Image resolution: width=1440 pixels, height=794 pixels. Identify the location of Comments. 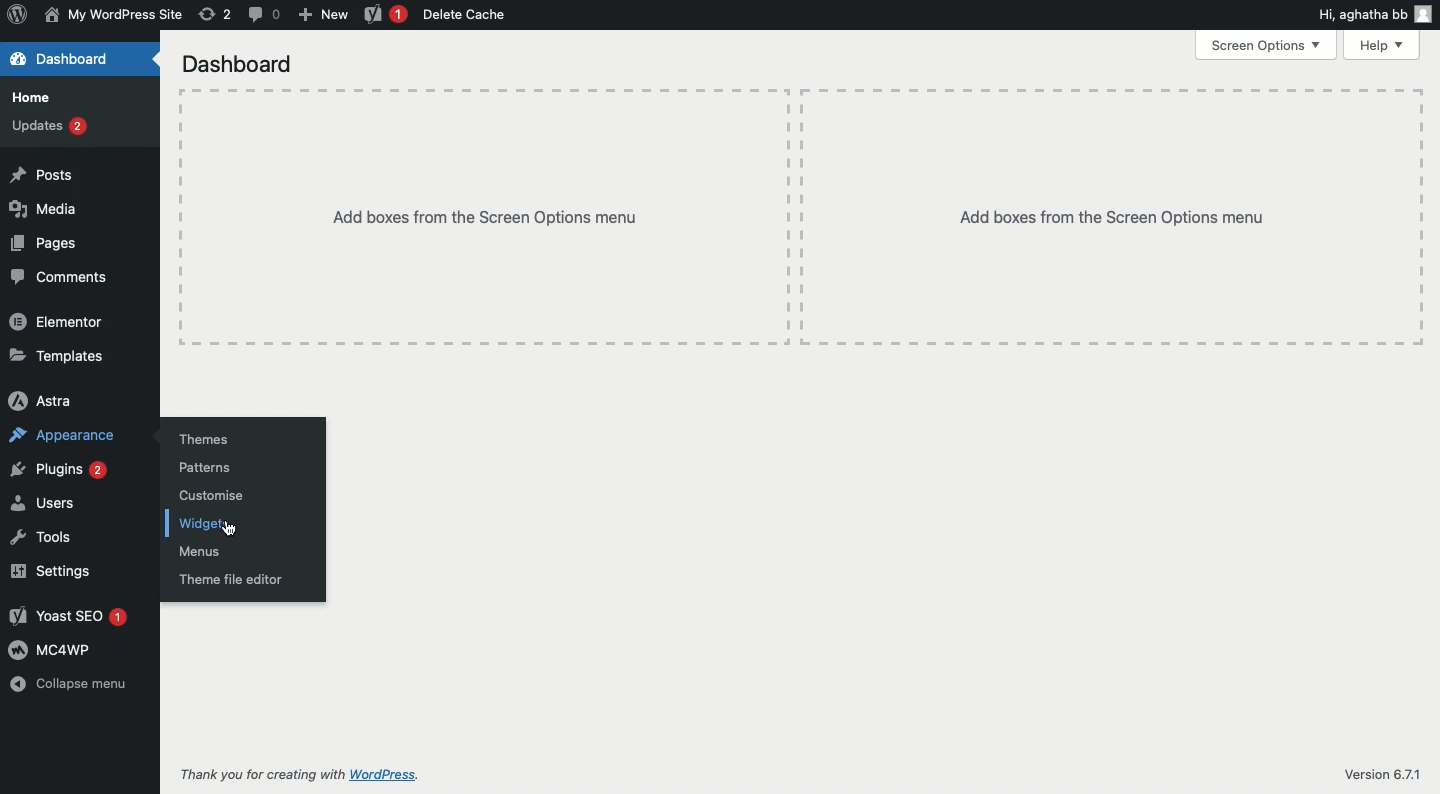
(61, 277).